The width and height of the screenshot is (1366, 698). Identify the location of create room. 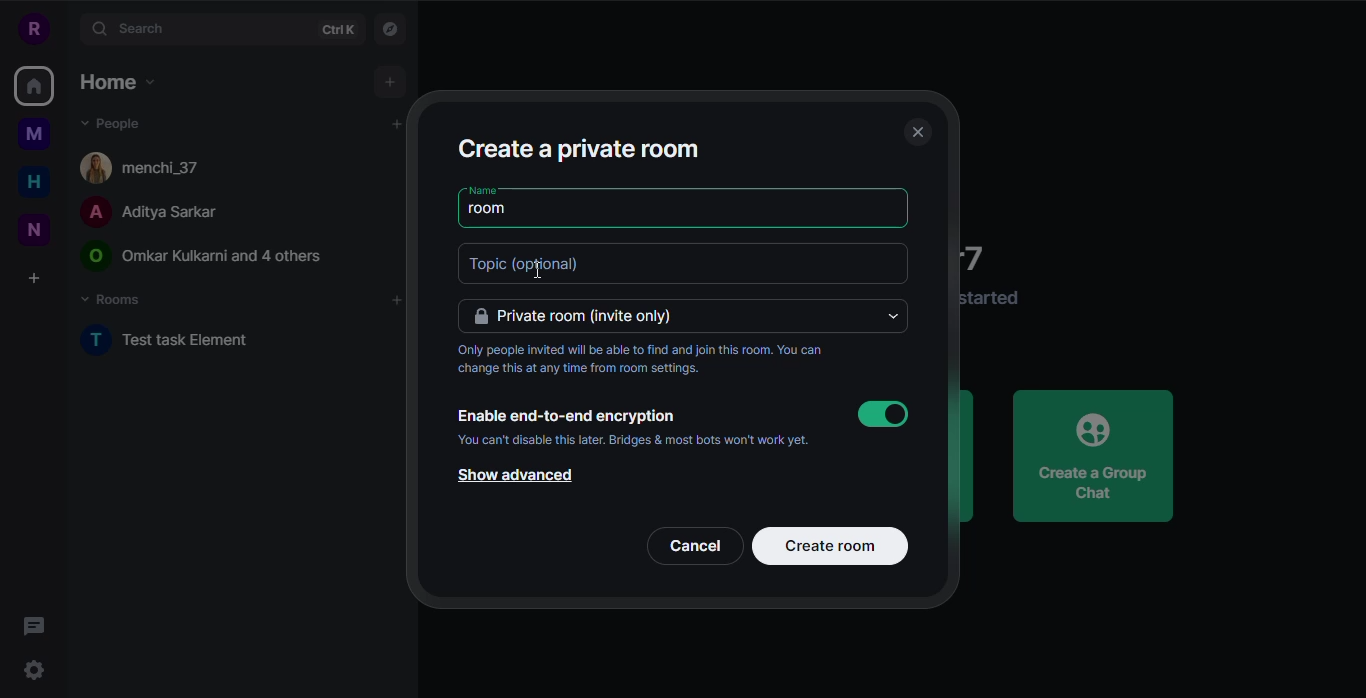
(831, 546).